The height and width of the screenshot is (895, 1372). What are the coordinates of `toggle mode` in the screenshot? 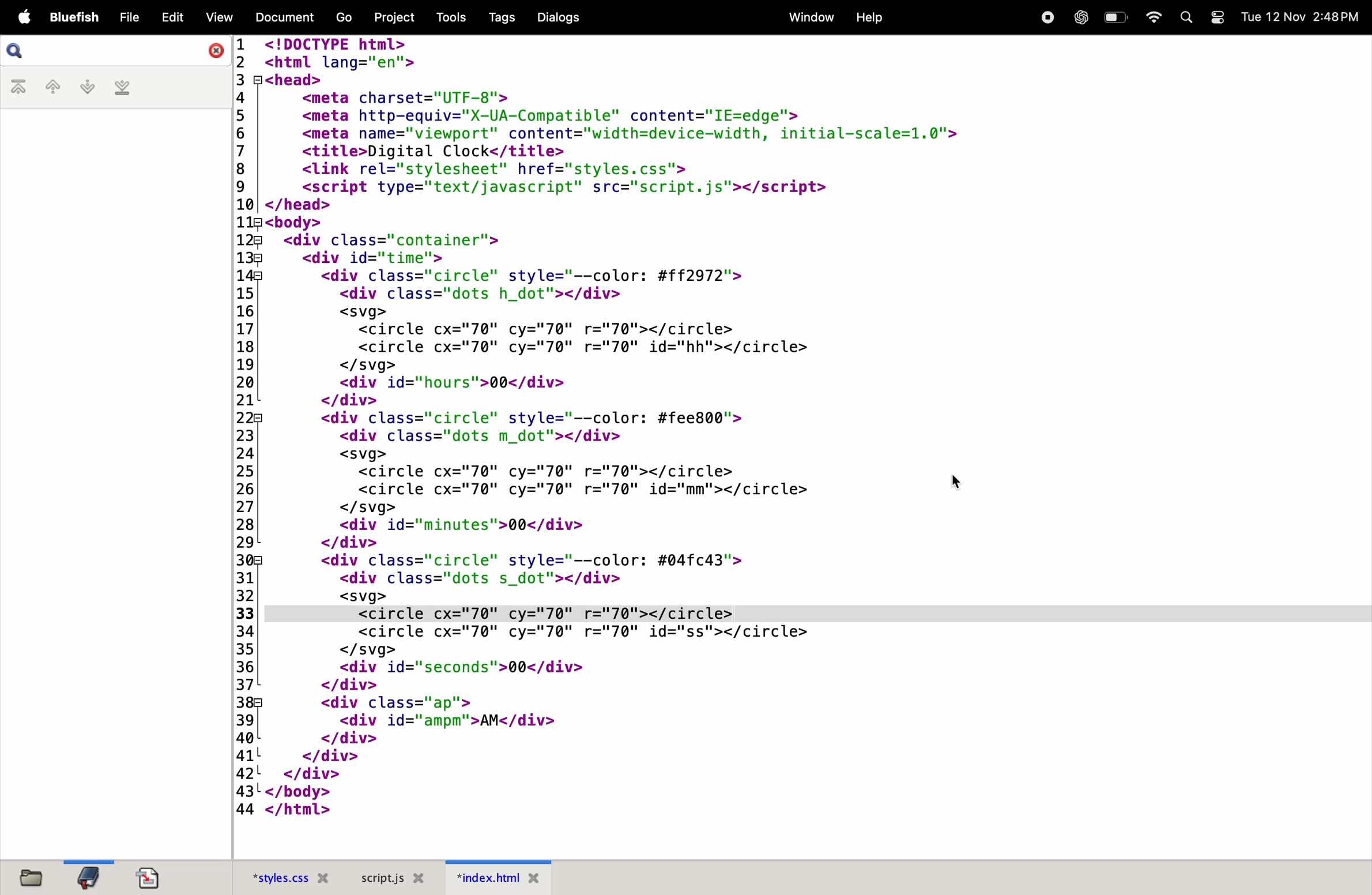 It's located at (1219, 19).